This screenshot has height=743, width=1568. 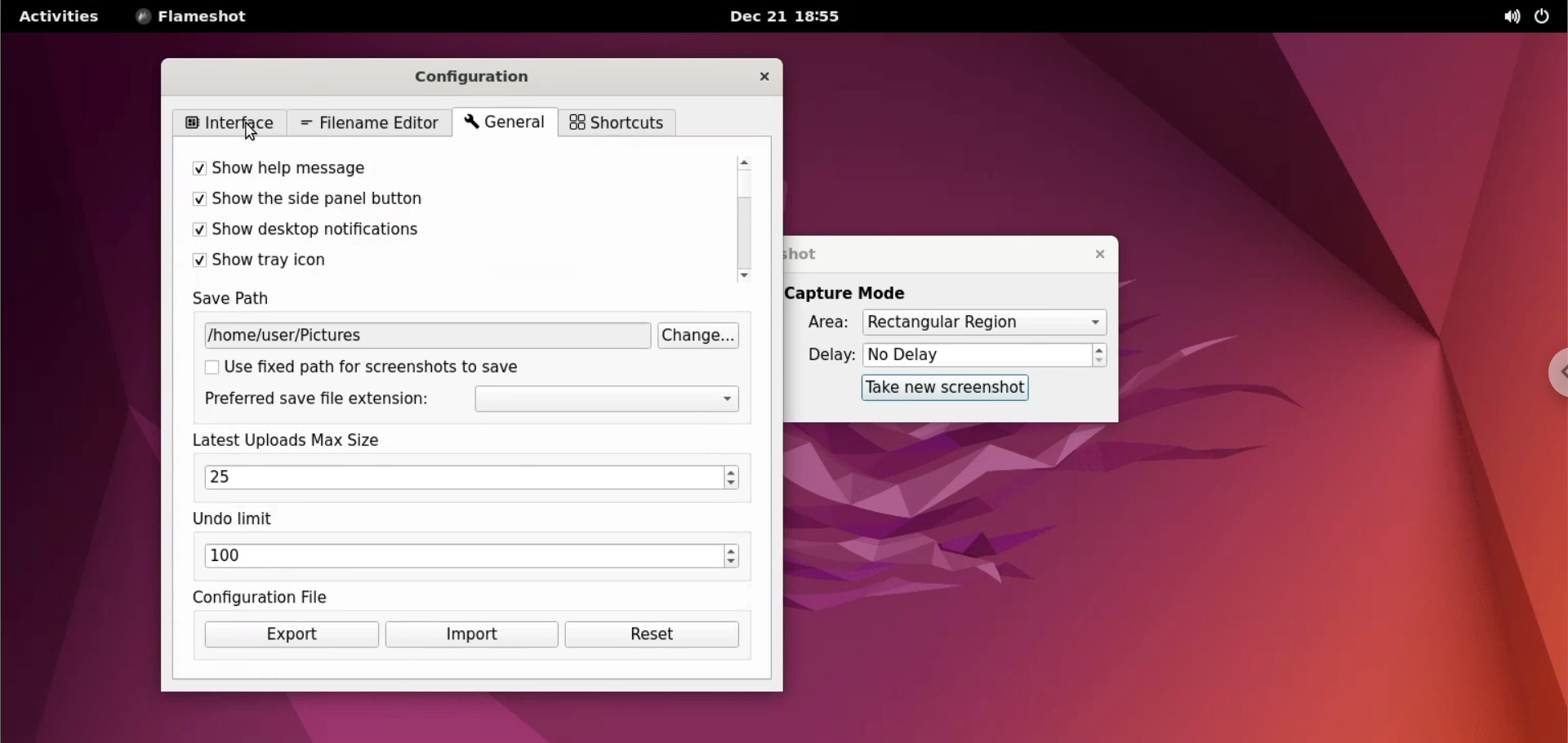 I want to click on chrome options, so click(x=1548, y=377).